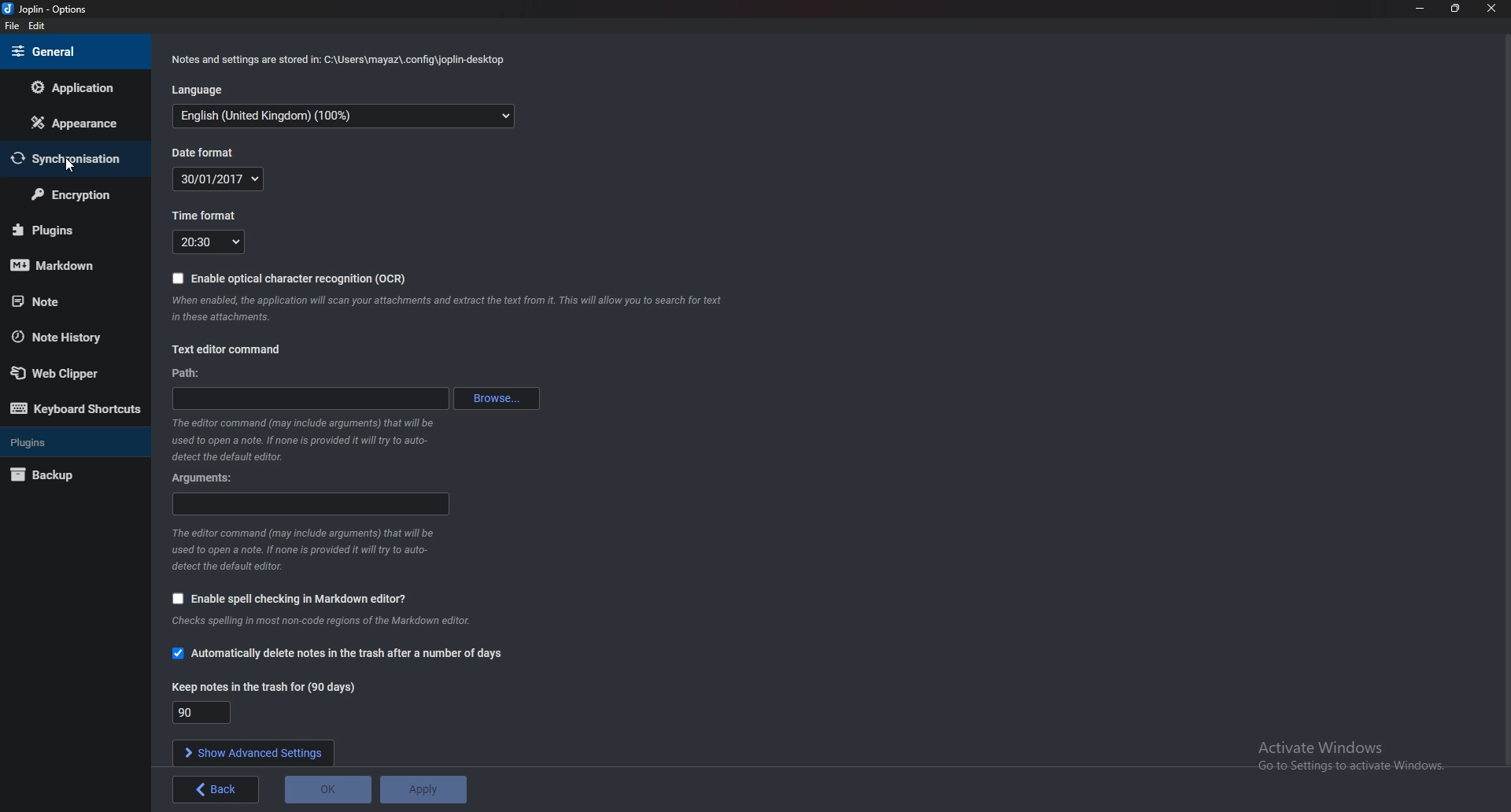  Describe the element at coordinates (71, 264) in the screenshot. I see `Mark down` at that location.